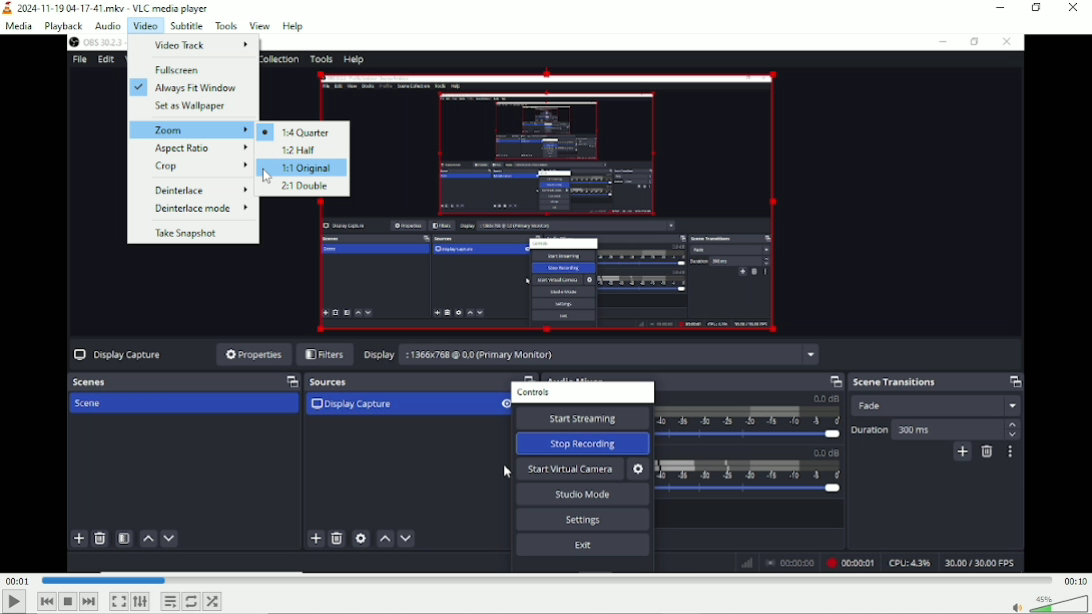 Image resolution: width=1092 pixels, height=614 pixels. Describe the element at coordinates (1038, 8) in the screenshot. I see `restore down` at that location.